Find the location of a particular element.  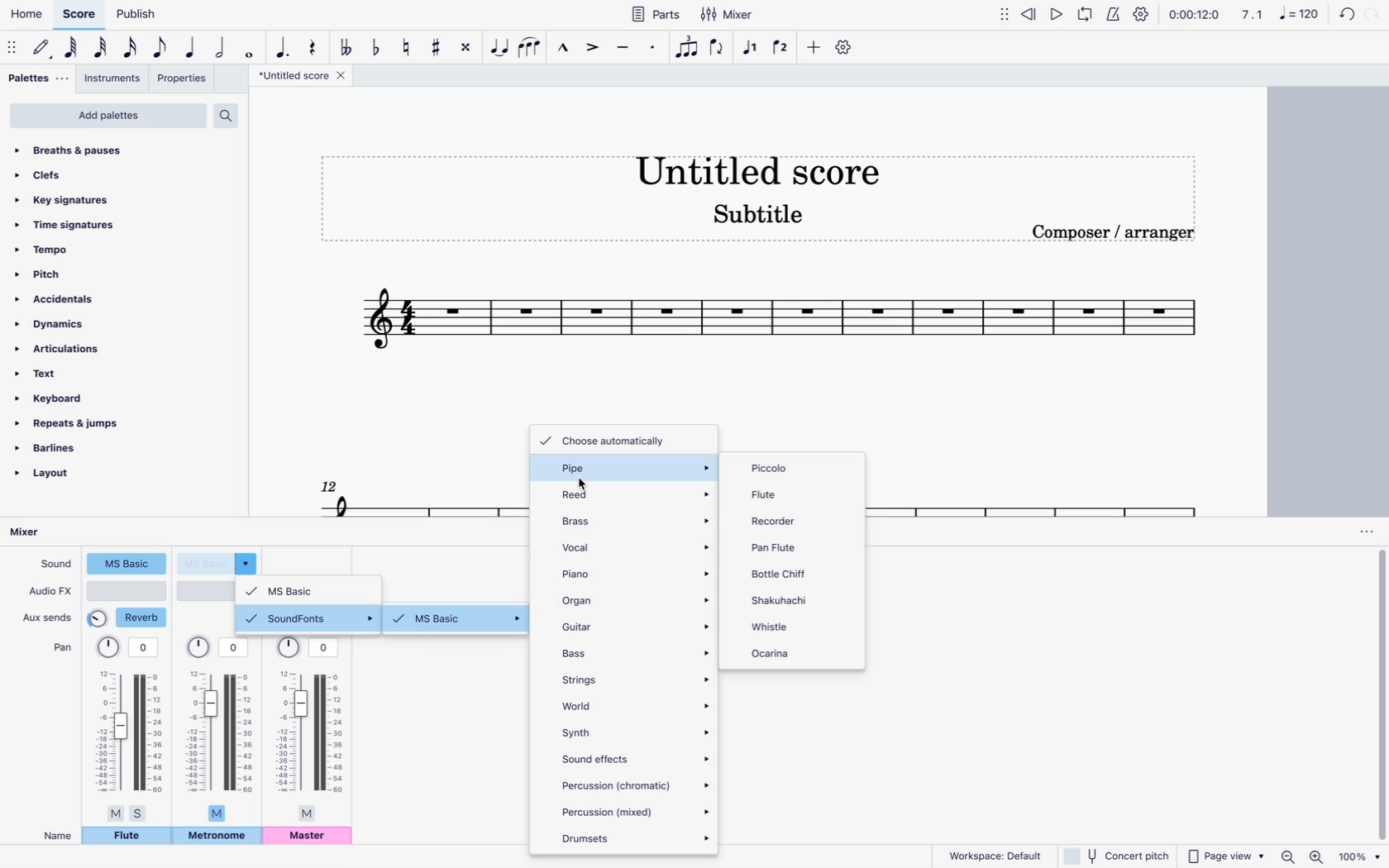

toggle double sharp is located at coordinates (466, 49).